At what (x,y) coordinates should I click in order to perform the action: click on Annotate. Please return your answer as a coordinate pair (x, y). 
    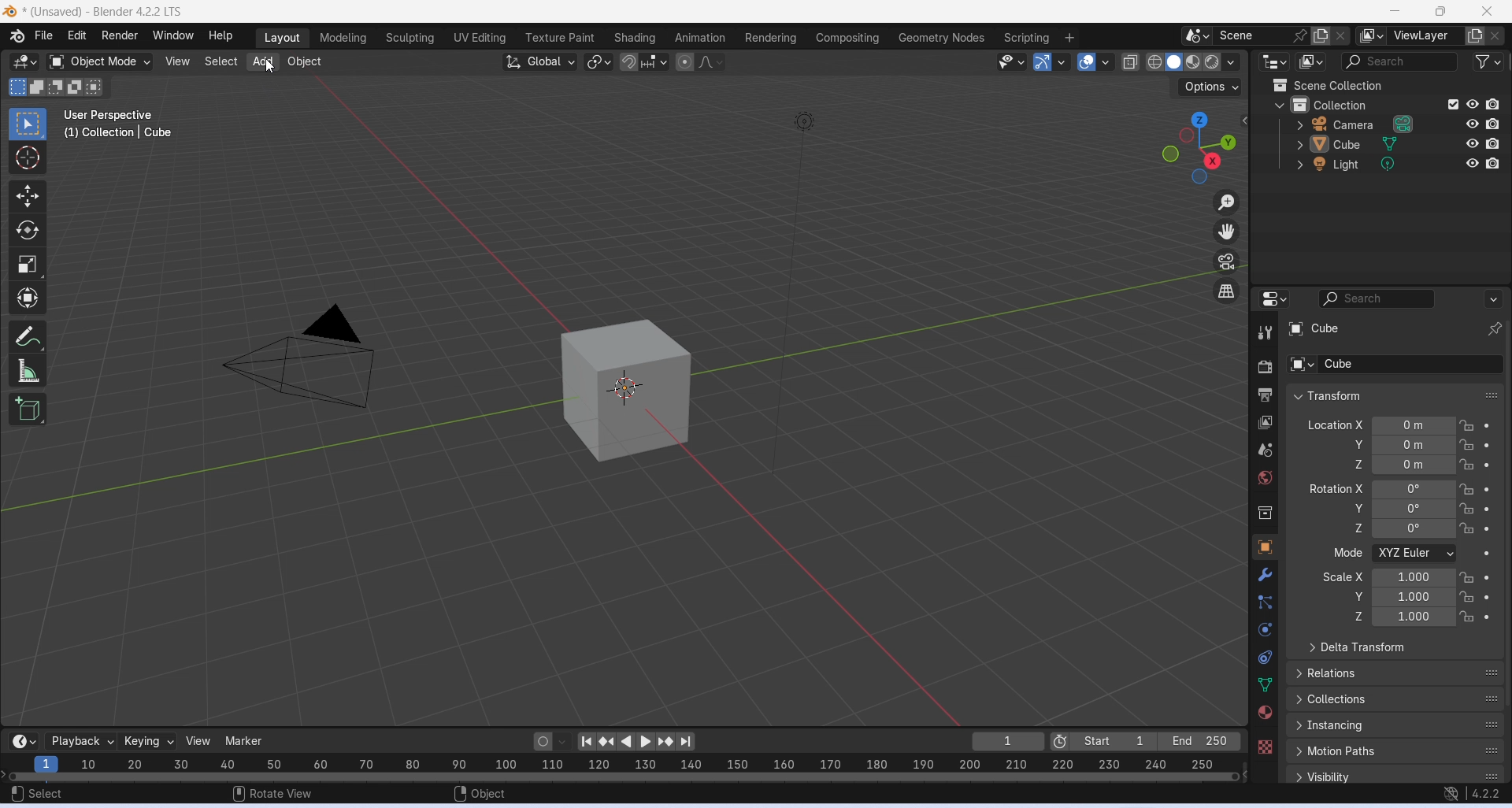
    Looking at the image, I should click on (30, 335).